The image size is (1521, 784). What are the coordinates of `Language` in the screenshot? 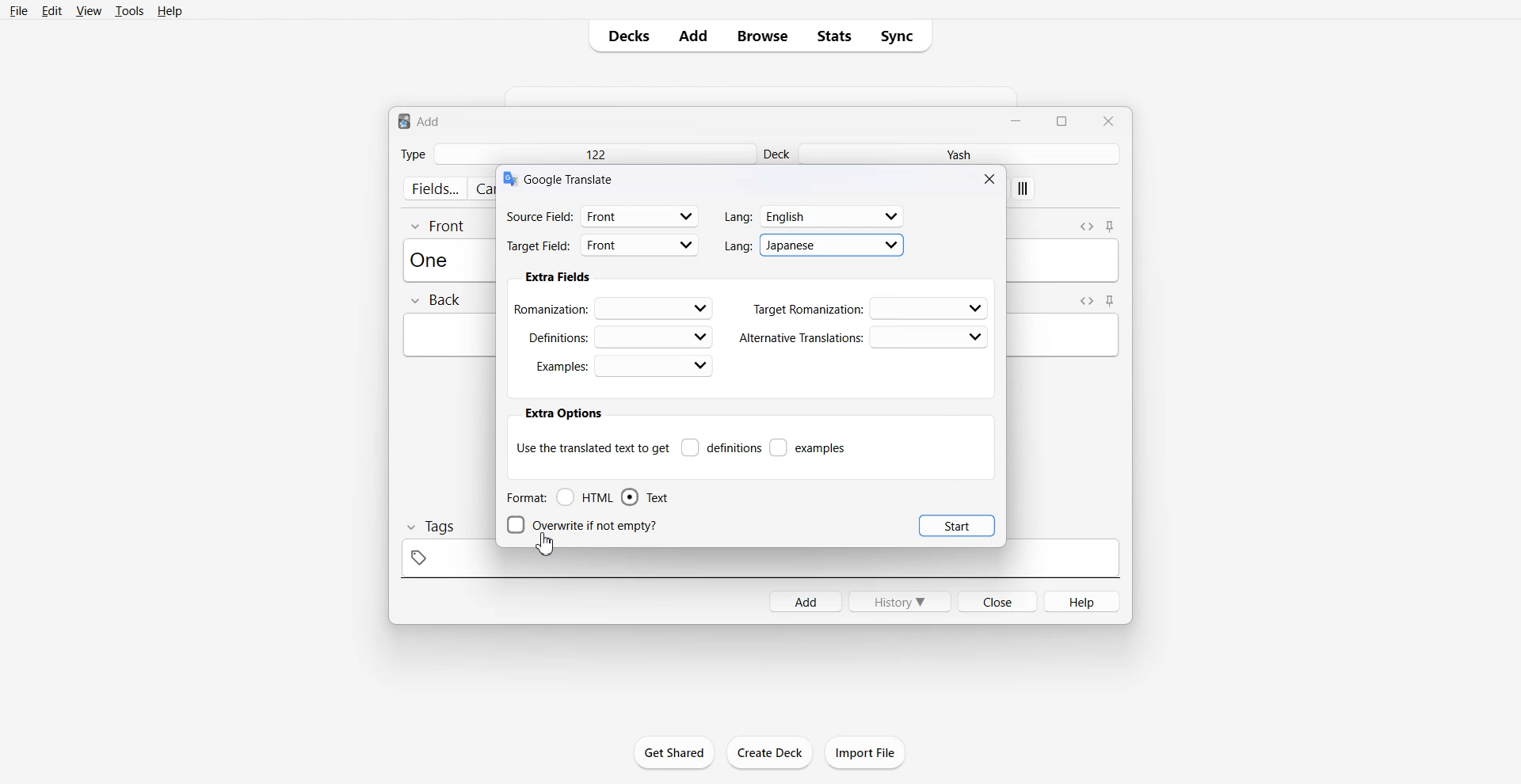 It's located at (814, 244).